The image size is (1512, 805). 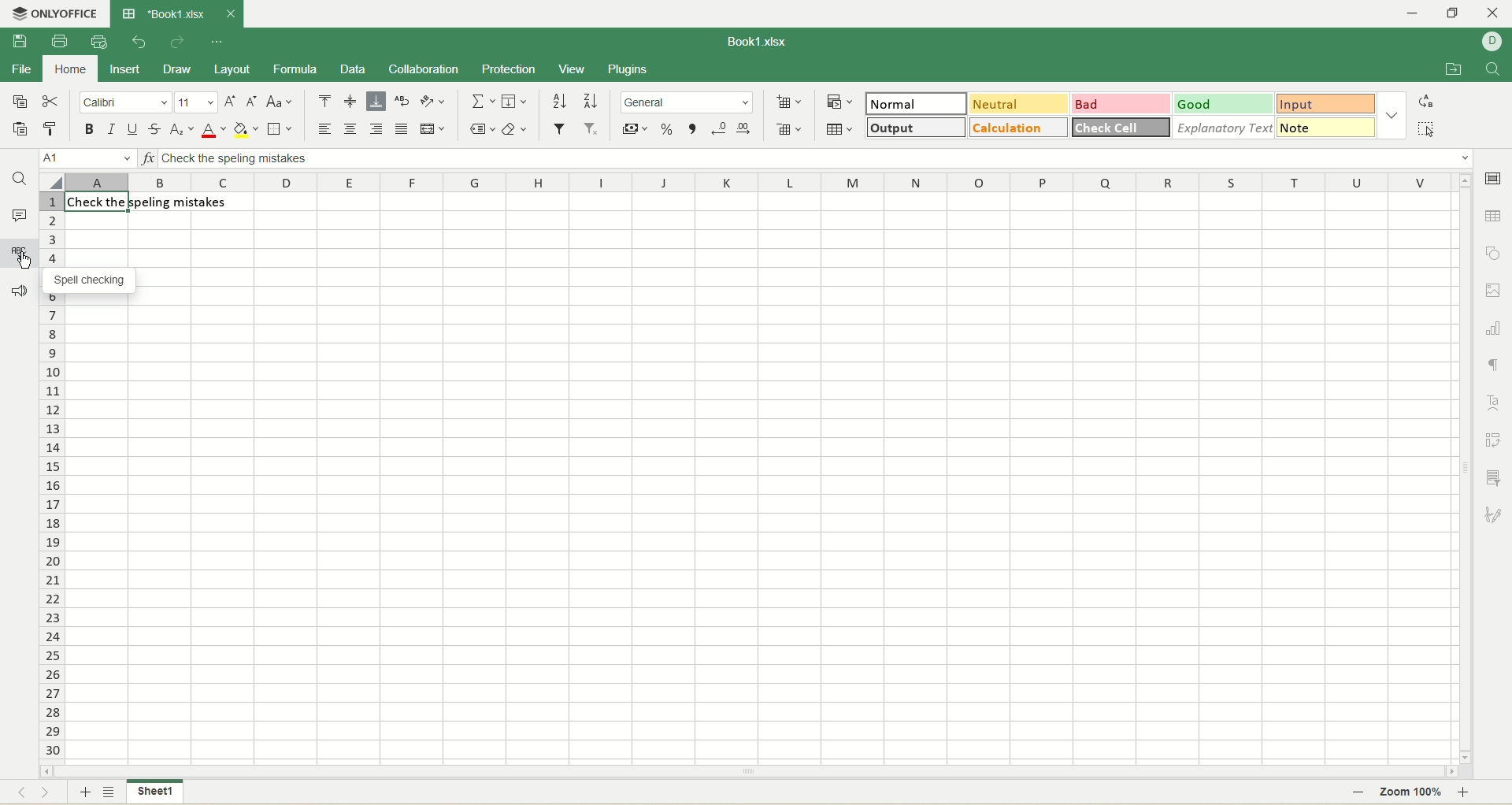 I want to click on zoom out, so click(x=1358, y=793).